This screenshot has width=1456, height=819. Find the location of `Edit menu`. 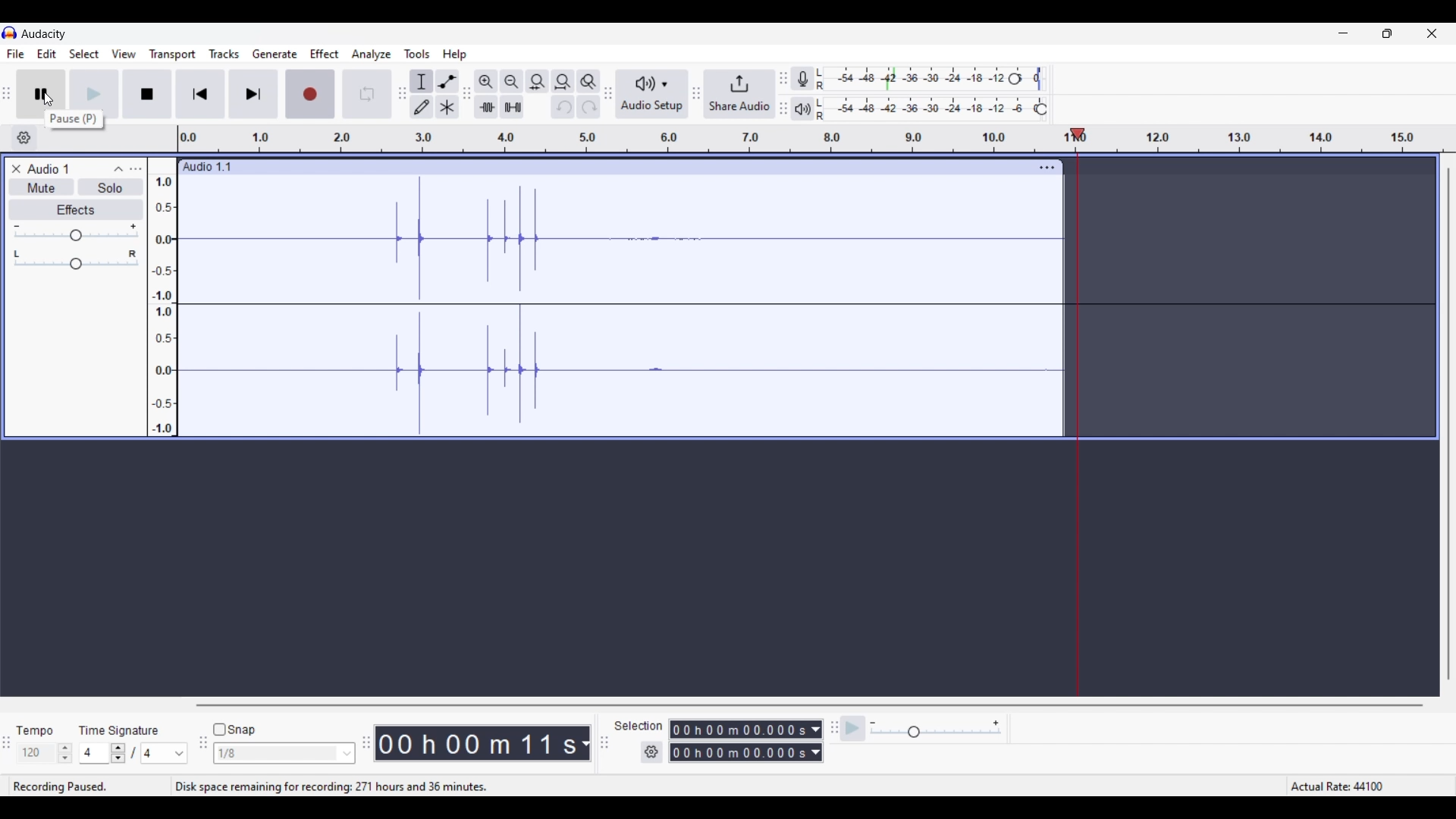

Edit menu is located at coordinates (47, 54).